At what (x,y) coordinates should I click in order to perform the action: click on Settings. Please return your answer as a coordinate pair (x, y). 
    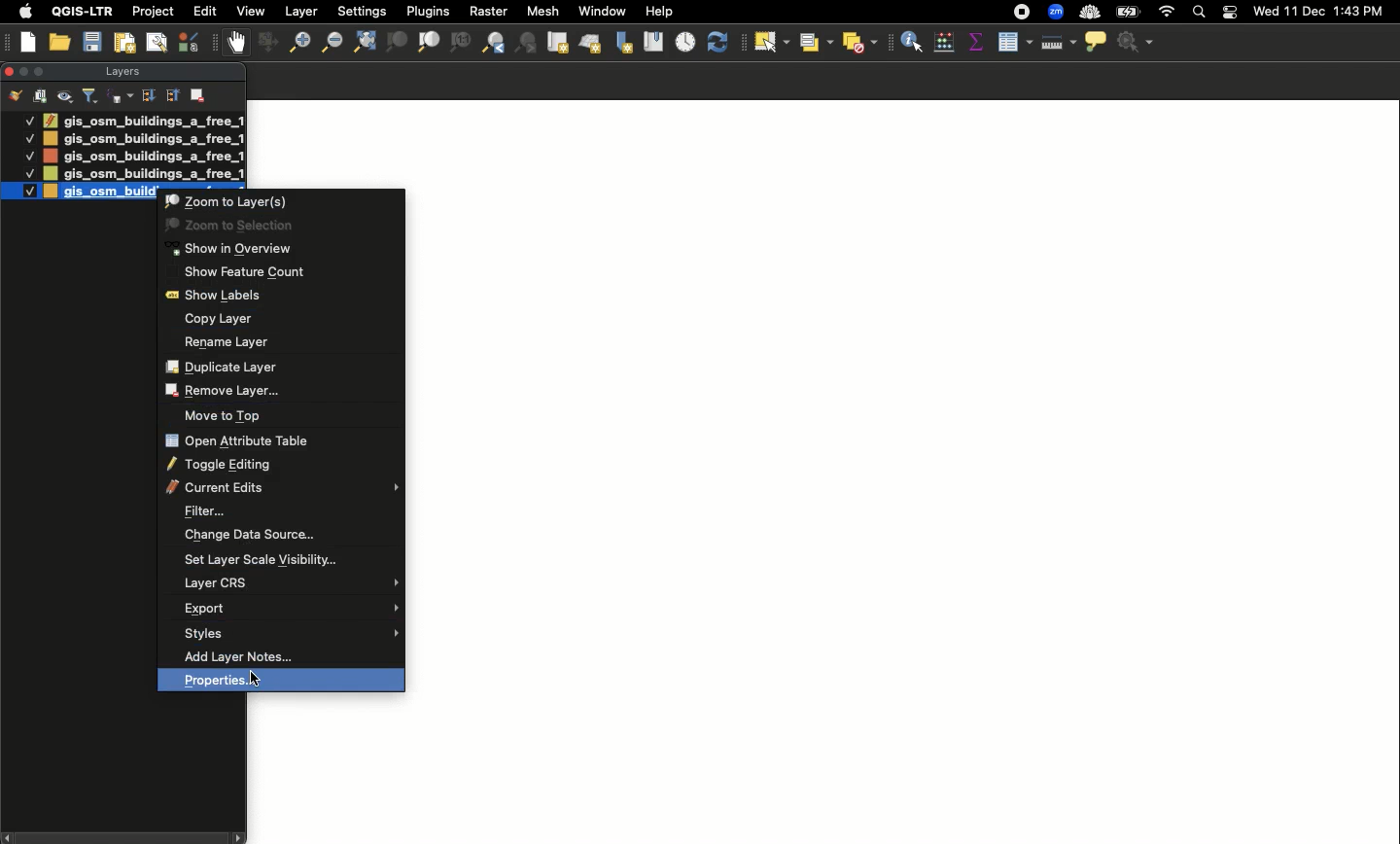
    Looking at the image, I should click on (1137, 43).